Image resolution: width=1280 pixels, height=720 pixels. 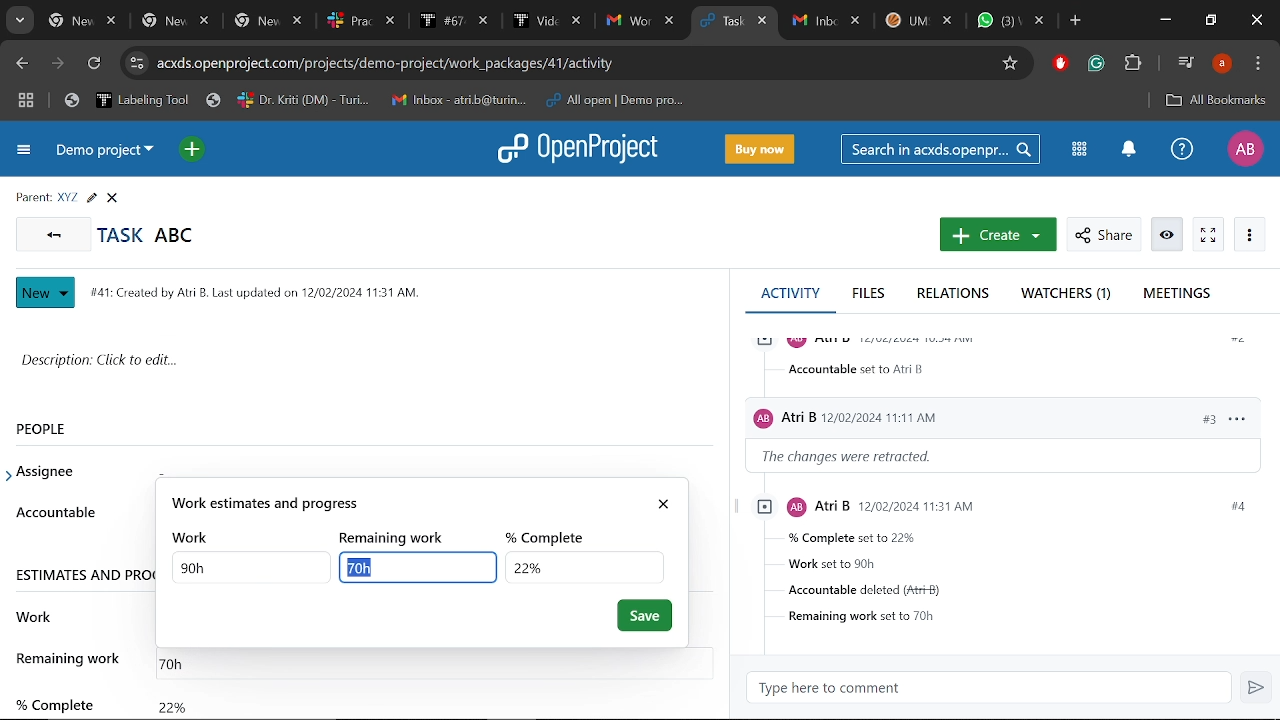 What do you see at coordinates (1254, 21) in the screenshot?
I see `Close` at bounding box center [1254, 21].